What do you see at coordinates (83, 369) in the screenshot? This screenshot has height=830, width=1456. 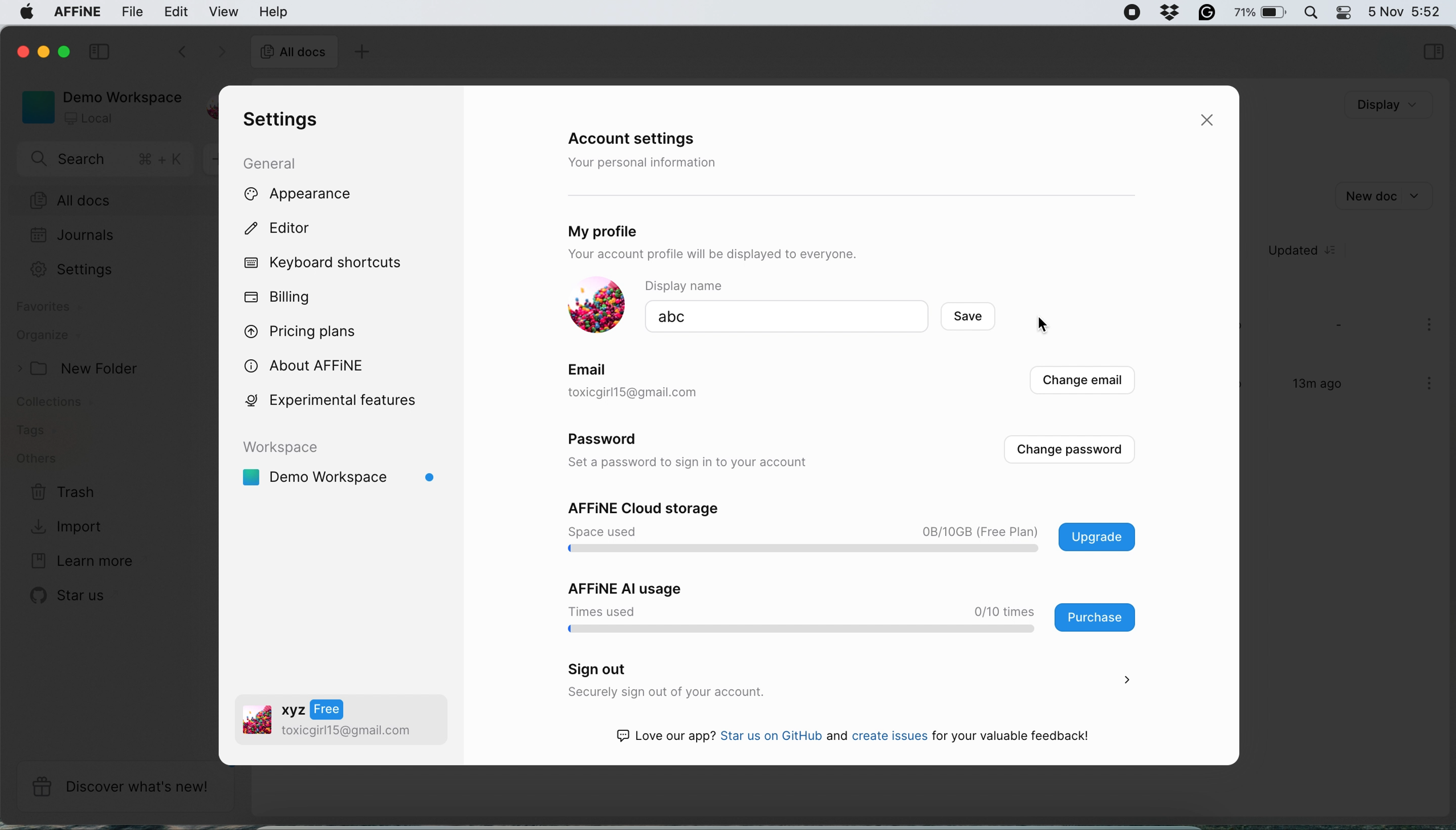 I see `new folder` at bounding box center [83, 369].